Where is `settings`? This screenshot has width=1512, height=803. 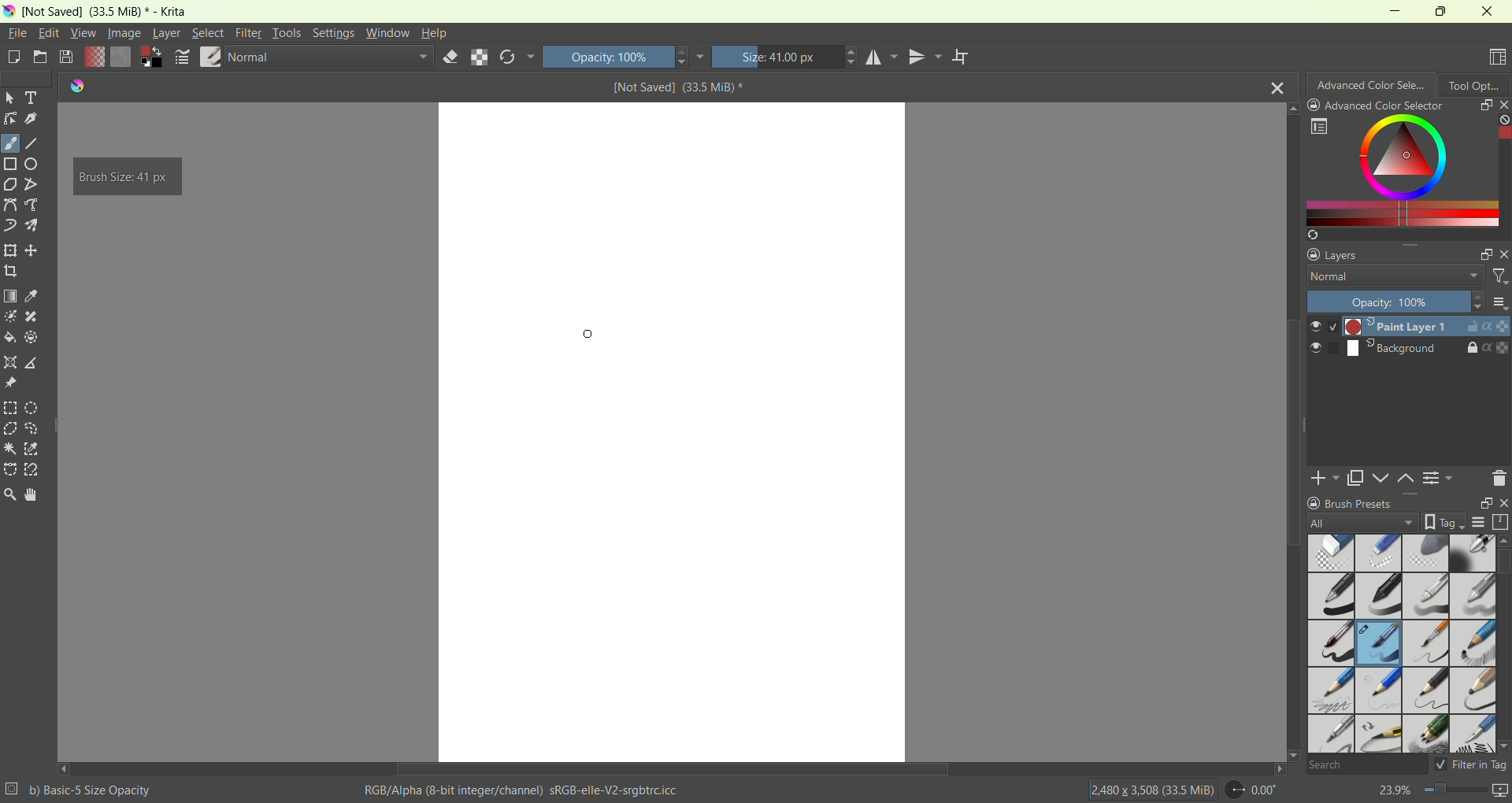
settings is located at coordinates (332, 33).